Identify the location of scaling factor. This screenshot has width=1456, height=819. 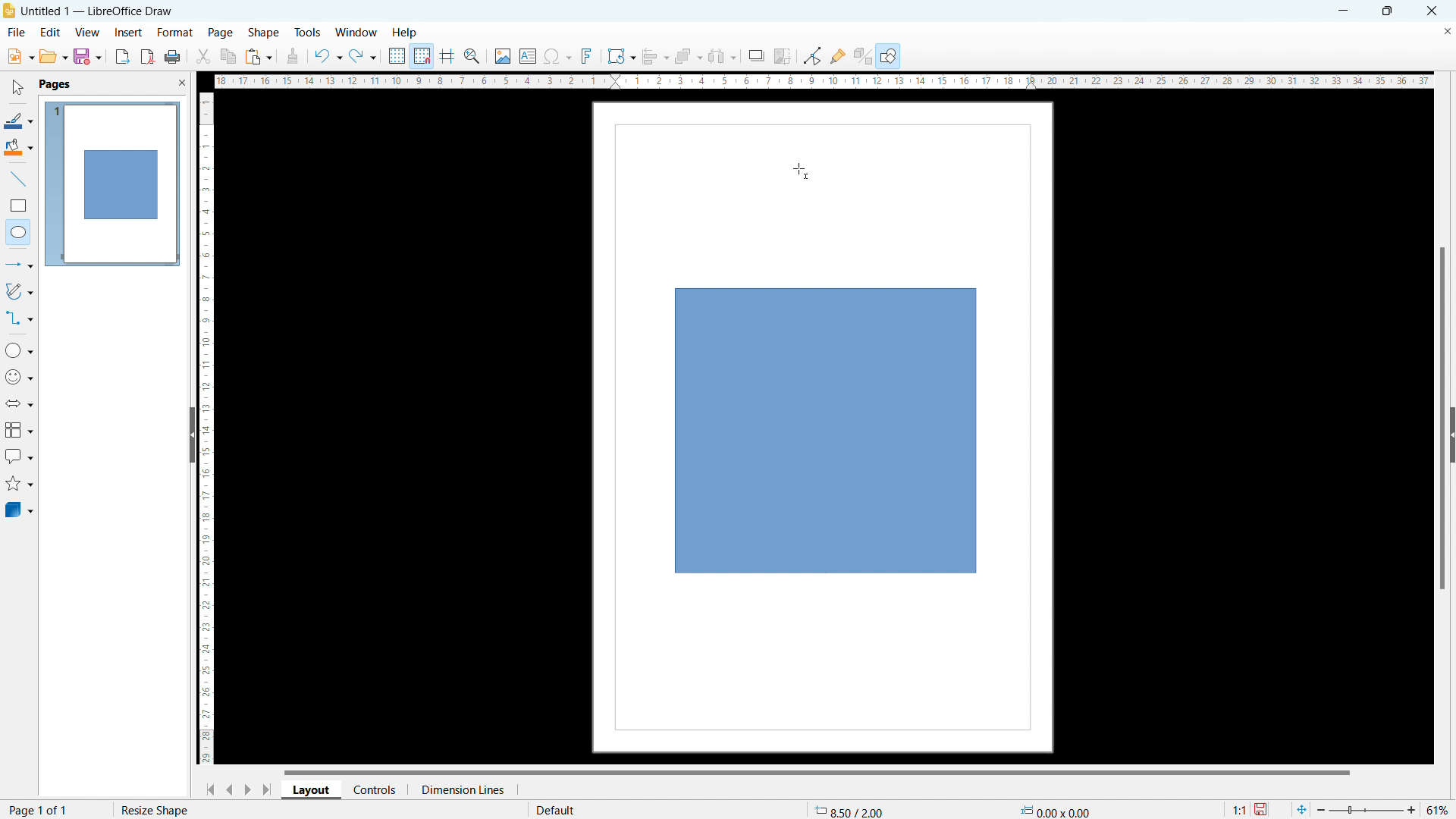
(1237, 808).